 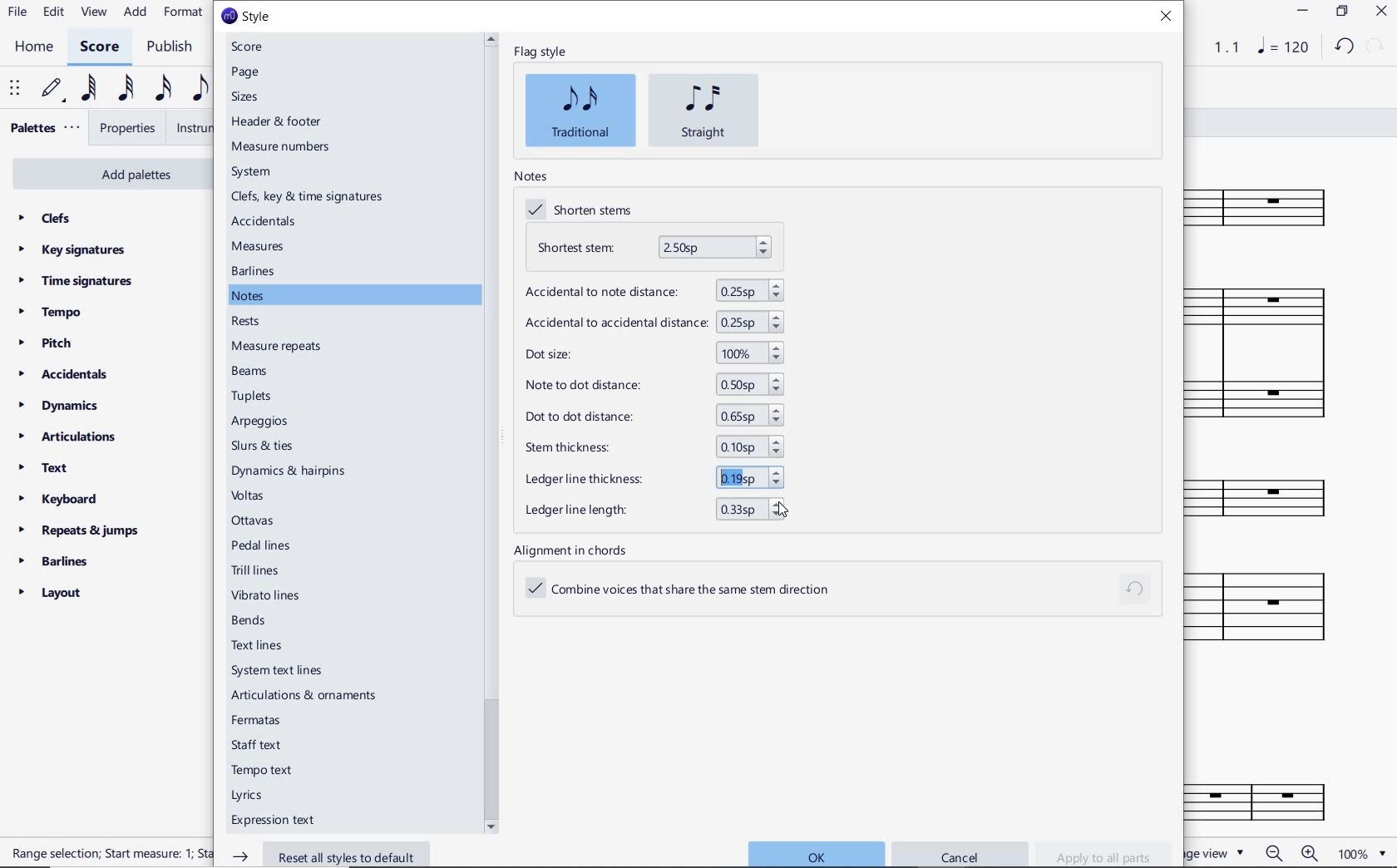 What do you see at coordinates (107, 172) in the screenshot?
I see `add palettes` at bounding box center [107, 172].